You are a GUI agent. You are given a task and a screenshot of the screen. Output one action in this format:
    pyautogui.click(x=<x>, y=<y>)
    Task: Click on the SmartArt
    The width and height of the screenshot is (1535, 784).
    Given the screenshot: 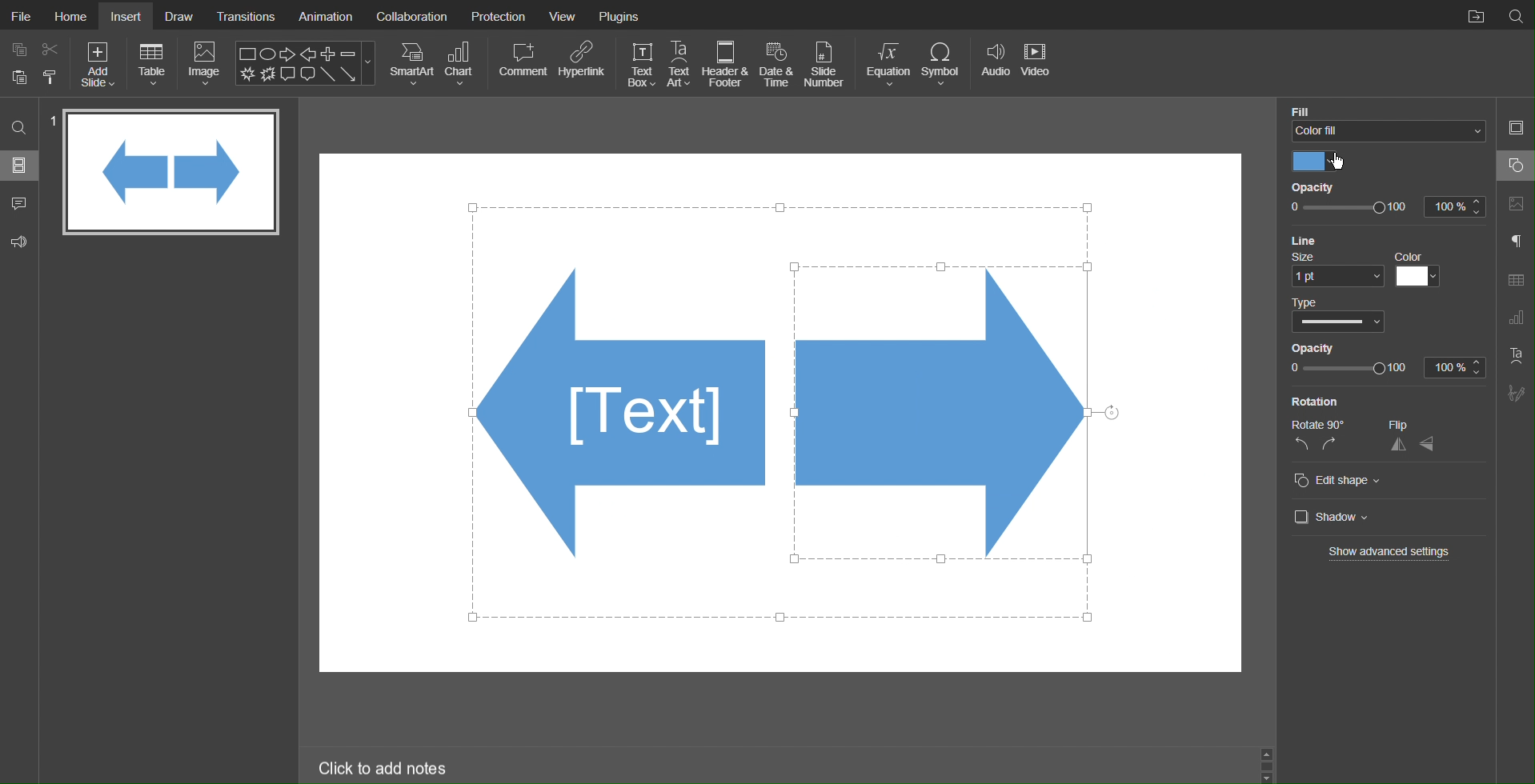 What is the action you would take?
    pyautogui.click(x=411, y=64)
    